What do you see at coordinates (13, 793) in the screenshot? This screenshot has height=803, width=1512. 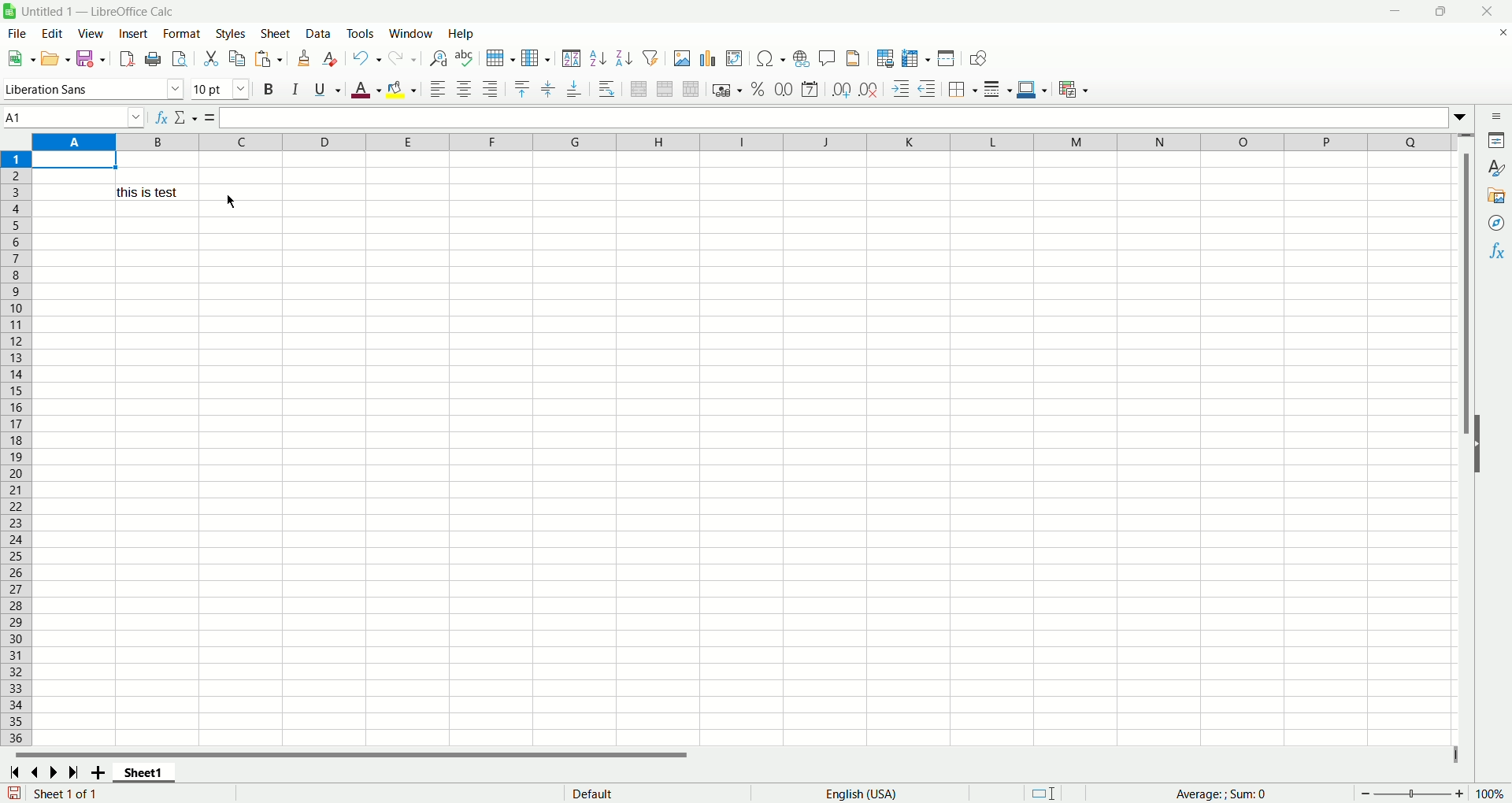 I see `save` at bounding box center [13, 793].